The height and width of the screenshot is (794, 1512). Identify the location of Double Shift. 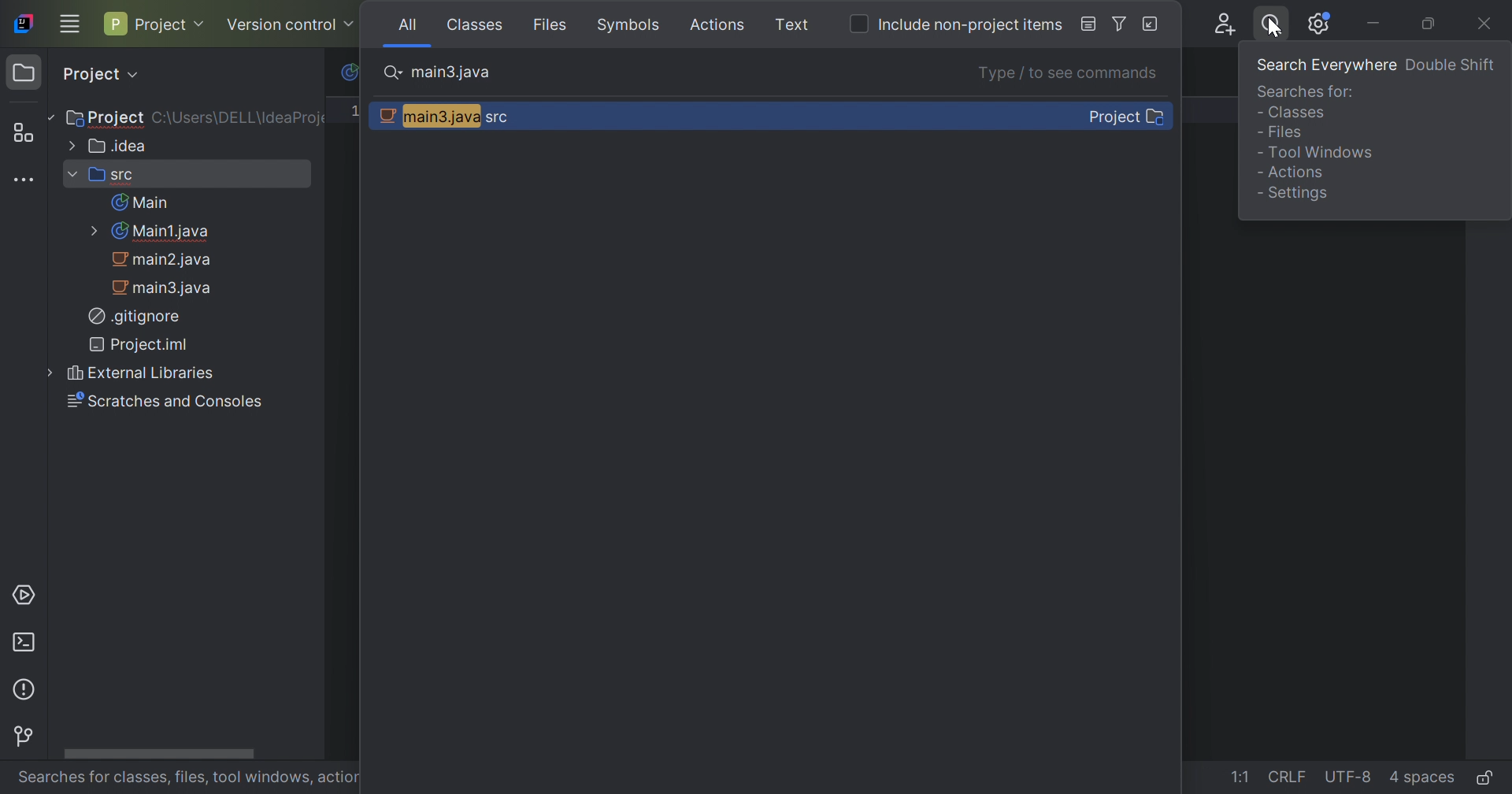
(1451, 65).